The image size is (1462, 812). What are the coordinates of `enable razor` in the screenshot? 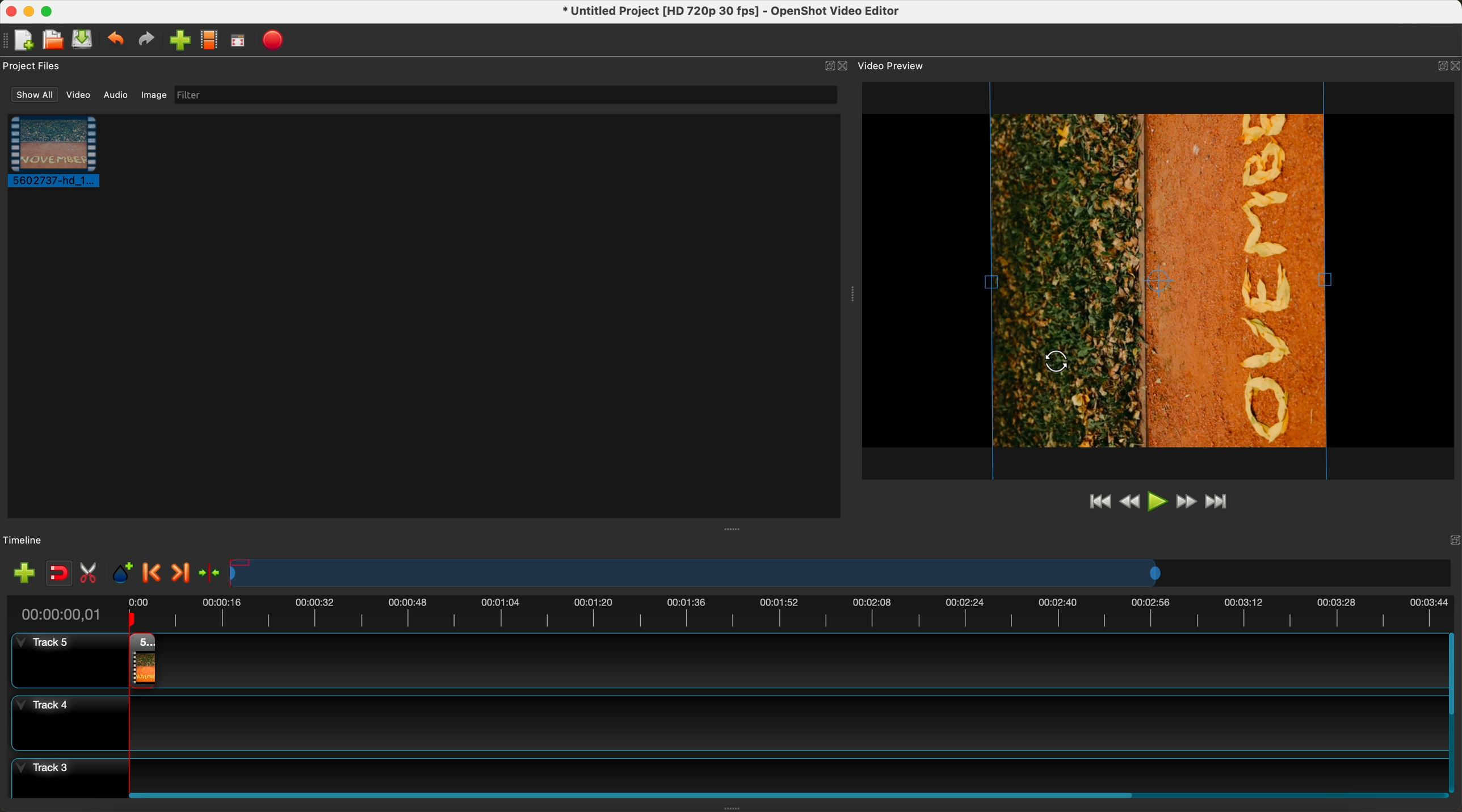 It's located at (91, 574).